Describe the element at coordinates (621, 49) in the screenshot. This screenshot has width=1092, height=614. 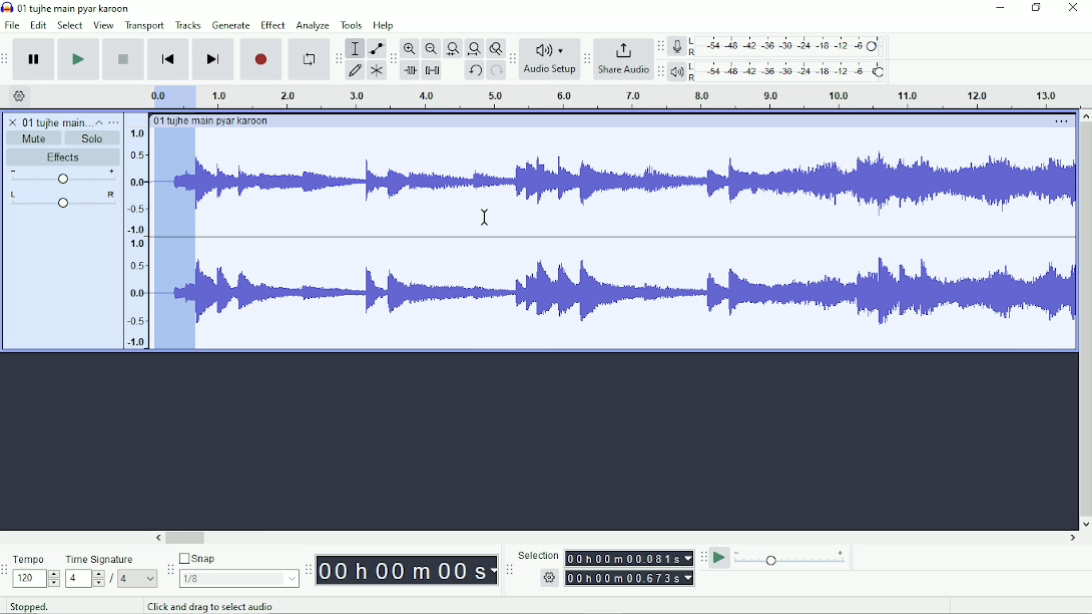
I see `Share Logo` at that location.